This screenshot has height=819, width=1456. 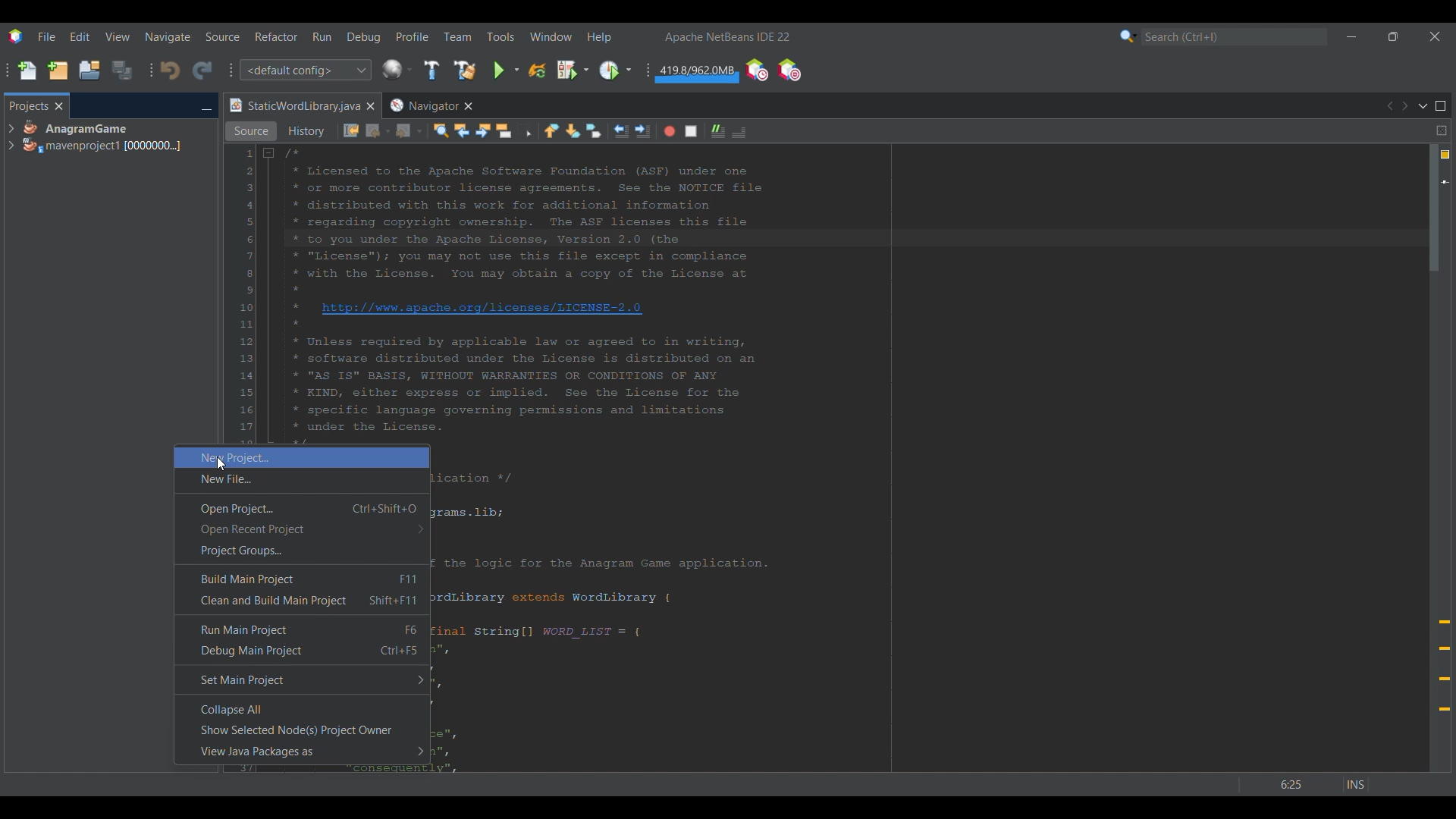 I want to click on Software logo, so click(x=15, y=36).